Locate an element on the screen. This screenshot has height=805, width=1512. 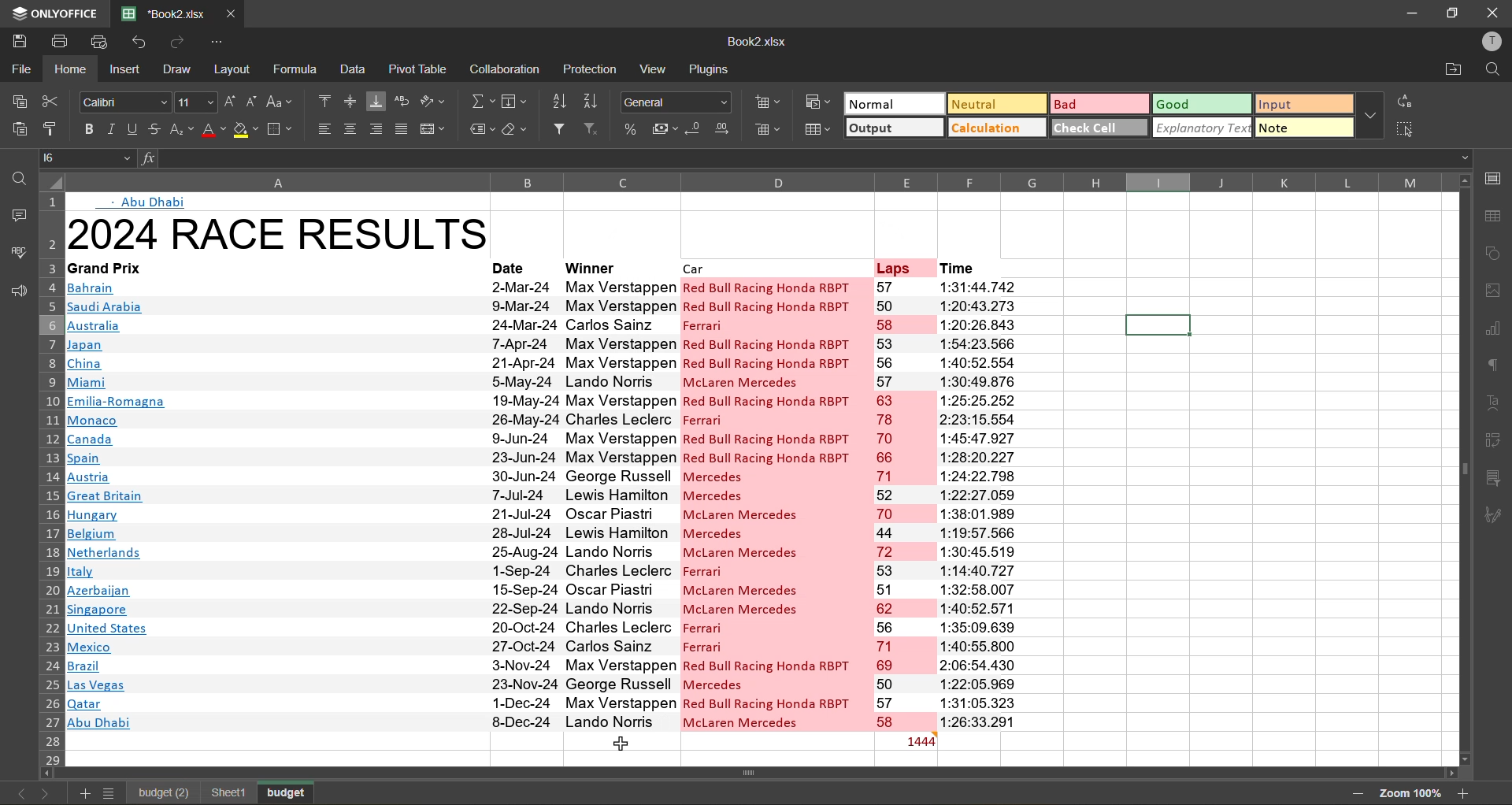
neutral is located at coordinates (994, 103).